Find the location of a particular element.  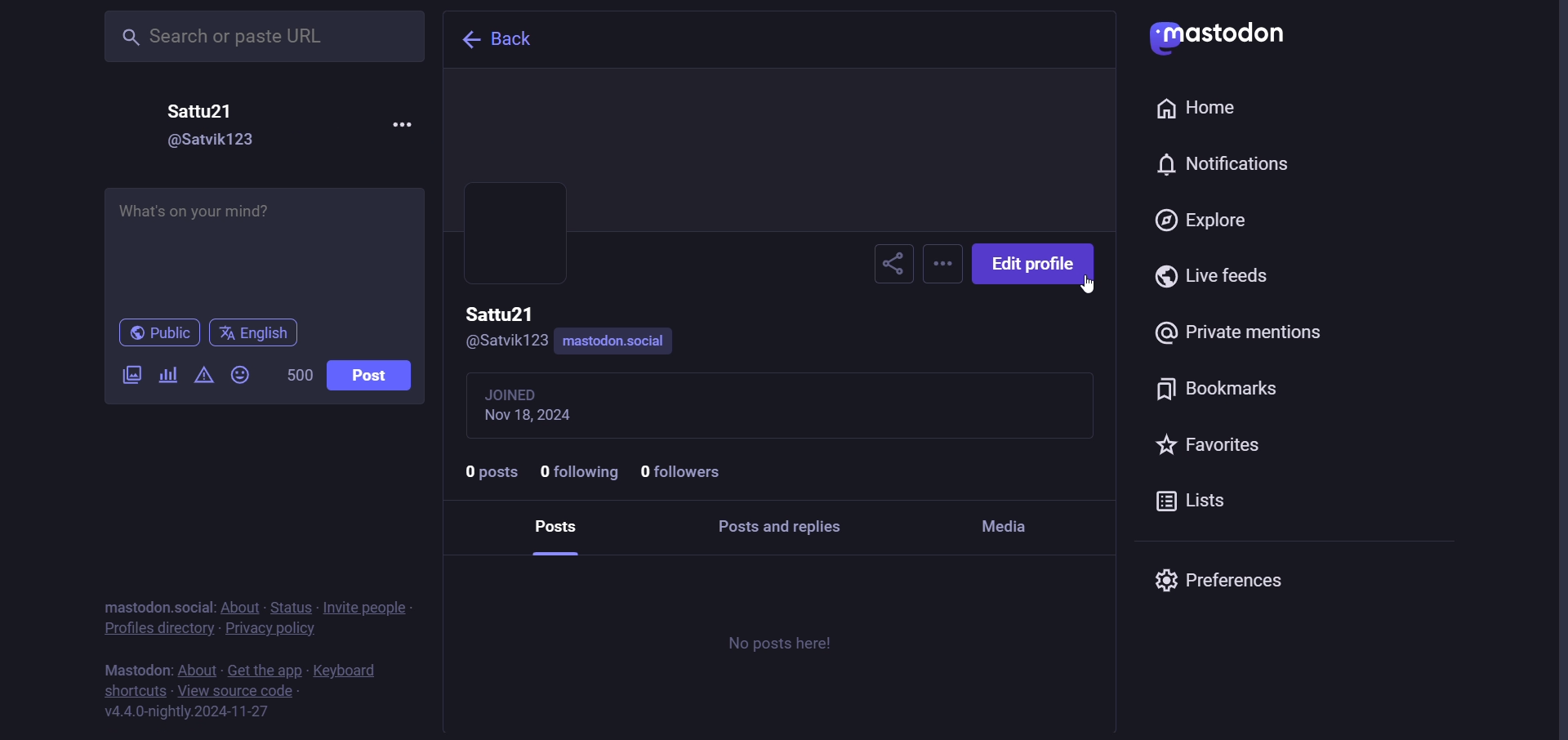

View source code  is located at coordinates (242, 690).